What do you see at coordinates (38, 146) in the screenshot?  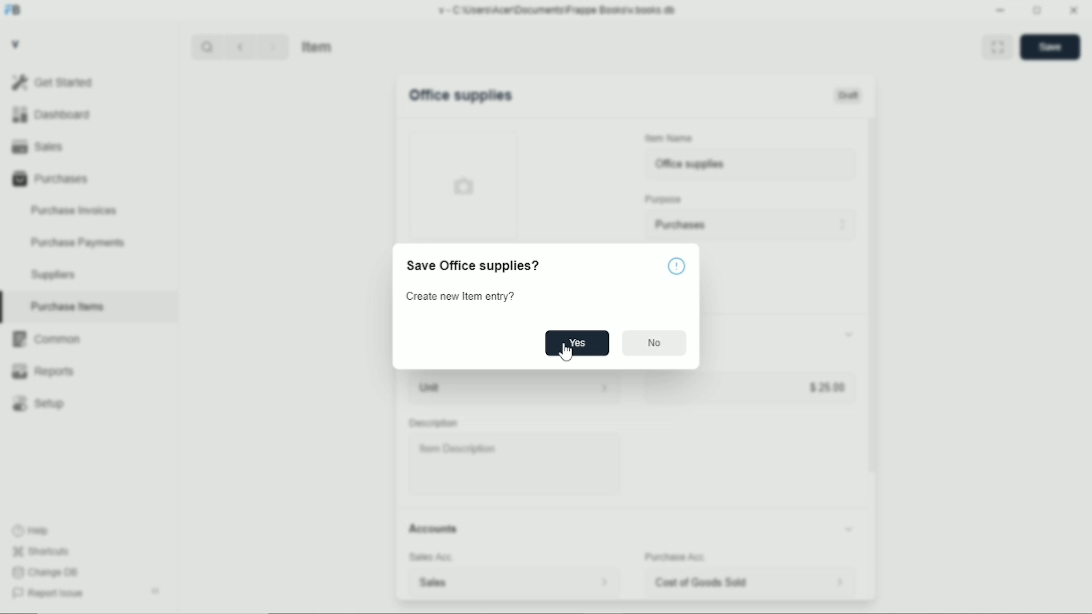 I see `sales` at bounding box center [38, 146].